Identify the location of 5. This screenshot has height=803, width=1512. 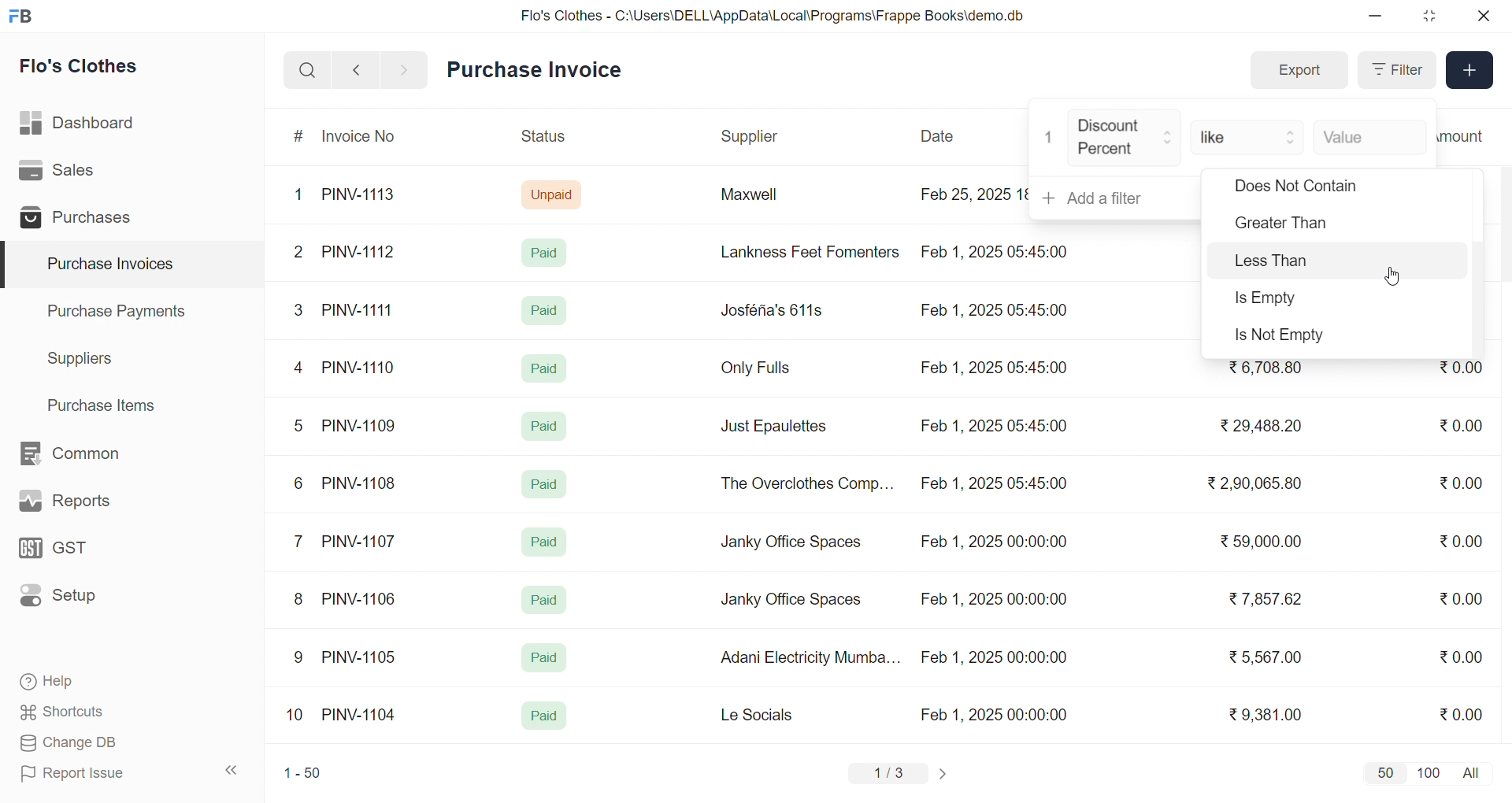
(298, 425).